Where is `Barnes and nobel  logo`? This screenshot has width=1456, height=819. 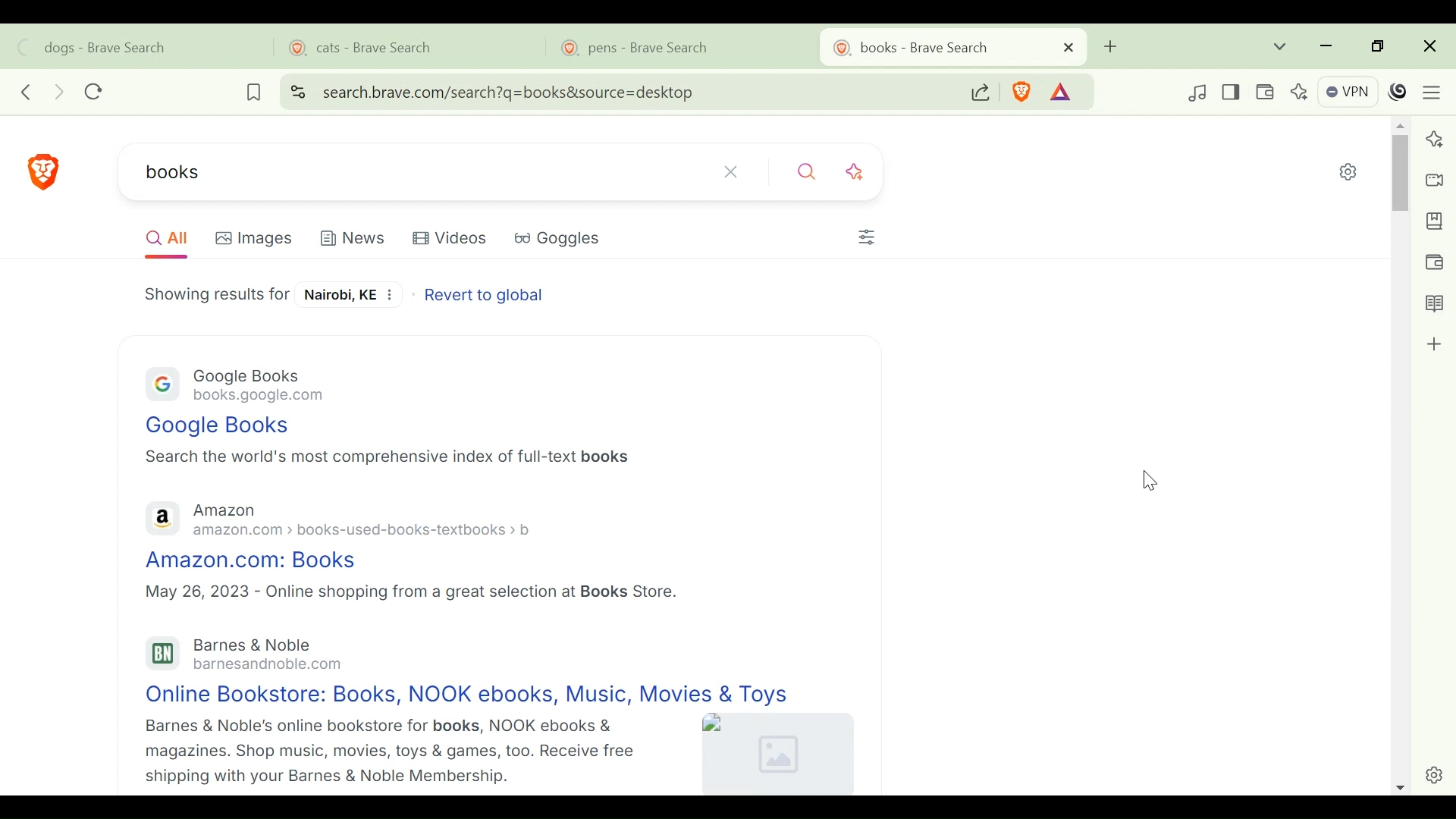 Barnes and nobel  logo is located at coordinates (155, 653).